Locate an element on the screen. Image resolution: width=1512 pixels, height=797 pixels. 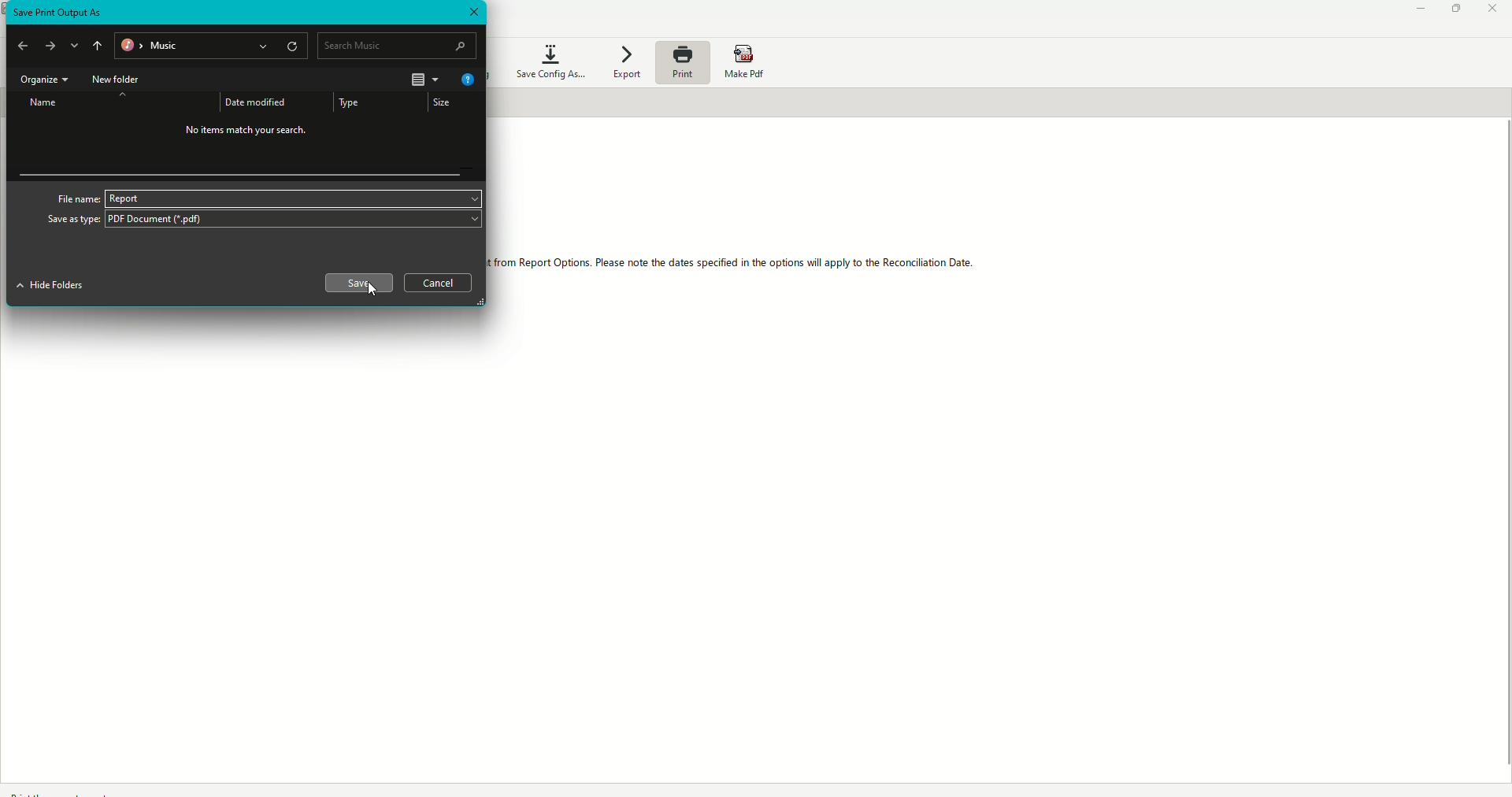
Export is located at coordinates (631, 62).